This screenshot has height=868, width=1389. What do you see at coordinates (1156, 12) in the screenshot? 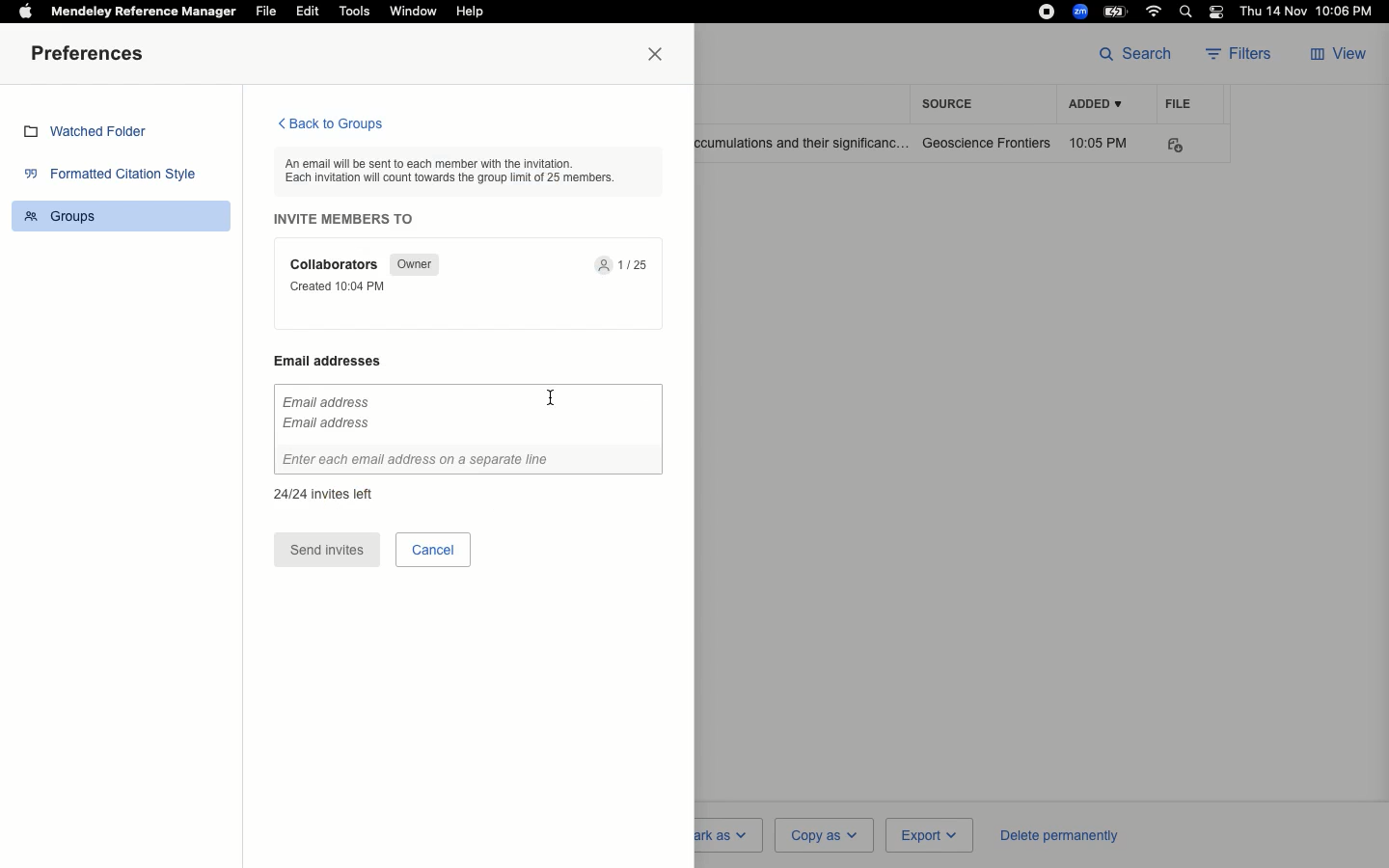
I see `Internet` at bounding box center [1156, 12].